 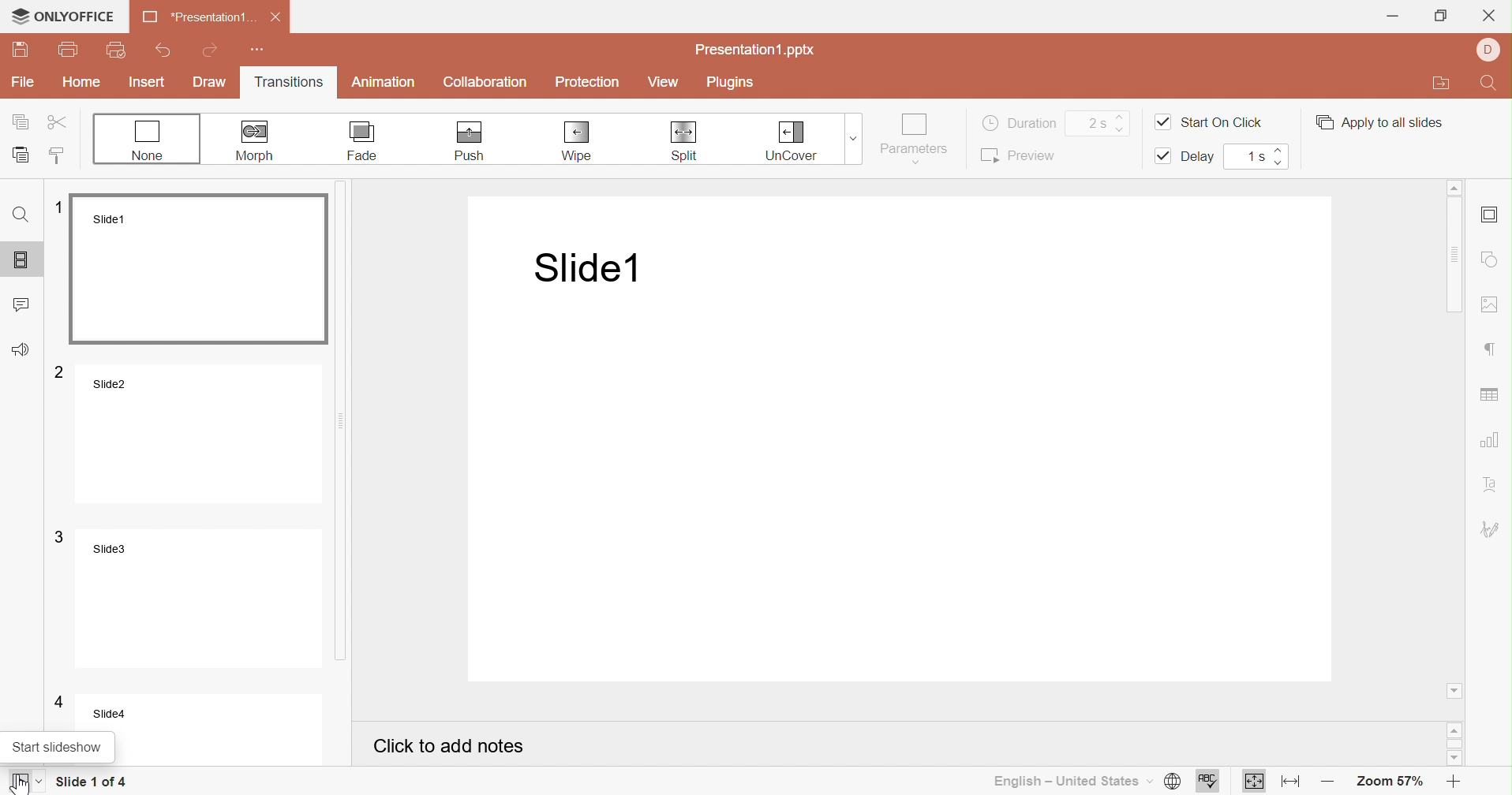 What do you see at coordinates (466, 140) in the screenshot?
I see `Push` at bounding box center [466, 140].